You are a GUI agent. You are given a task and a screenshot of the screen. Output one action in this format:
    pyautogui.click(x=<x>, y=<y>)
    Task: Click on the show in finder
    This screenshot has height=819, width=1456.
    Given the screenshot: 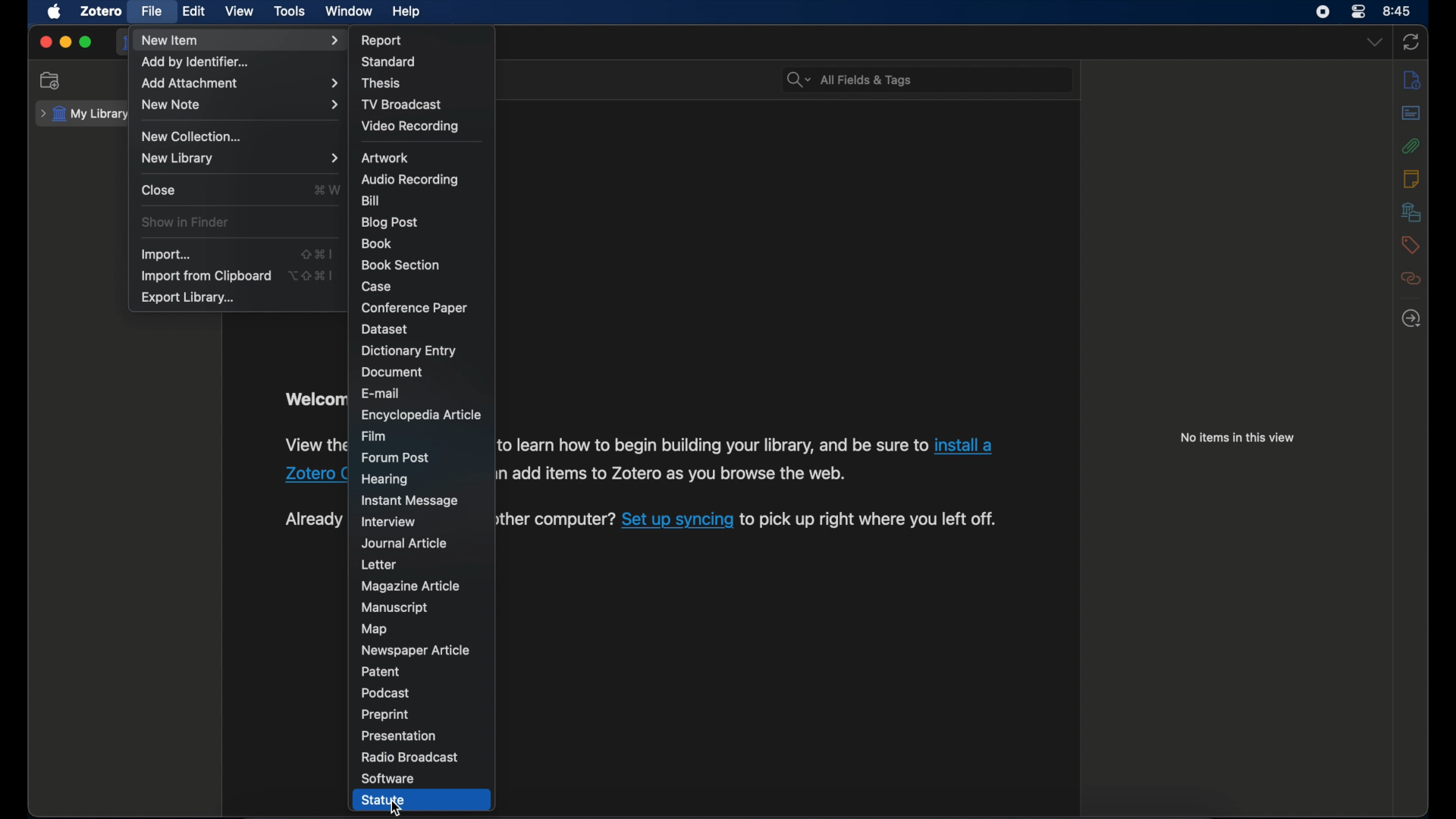 What is the action you would take?
    pyautogui.click(x=185, y=222)
    